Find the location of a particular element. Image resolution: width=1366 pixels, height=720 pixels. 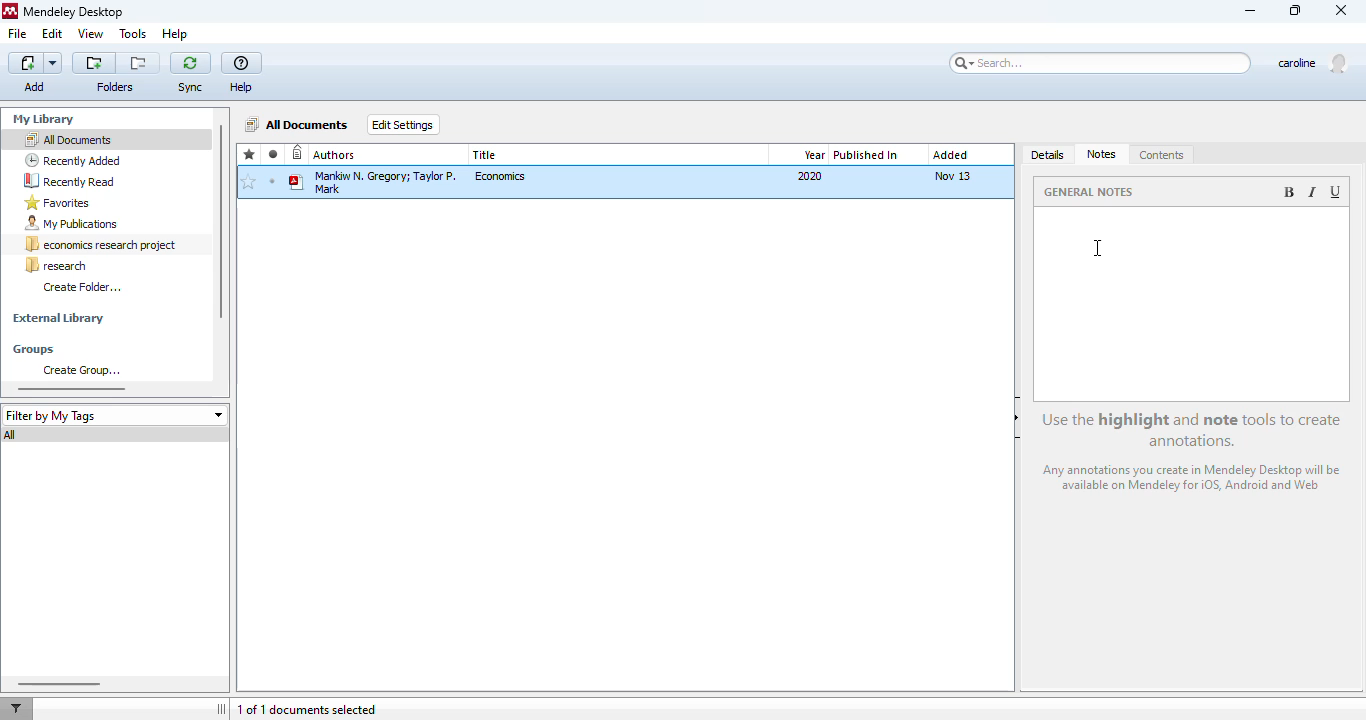

notes is located at coordinates (1102, 154).